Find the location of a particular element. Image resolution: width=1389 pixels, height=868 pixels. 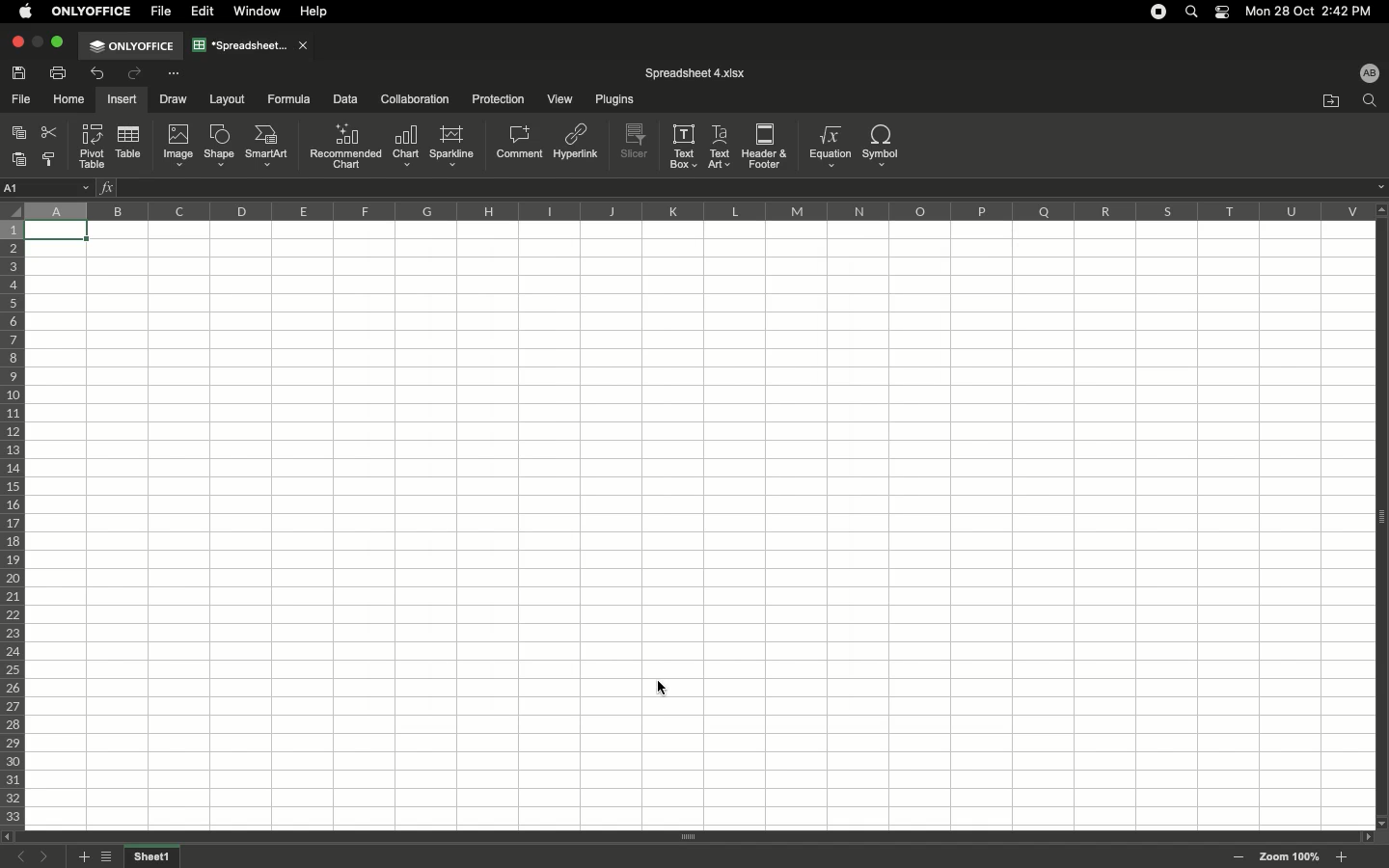

Maximize is located at coordinates (60, 41).